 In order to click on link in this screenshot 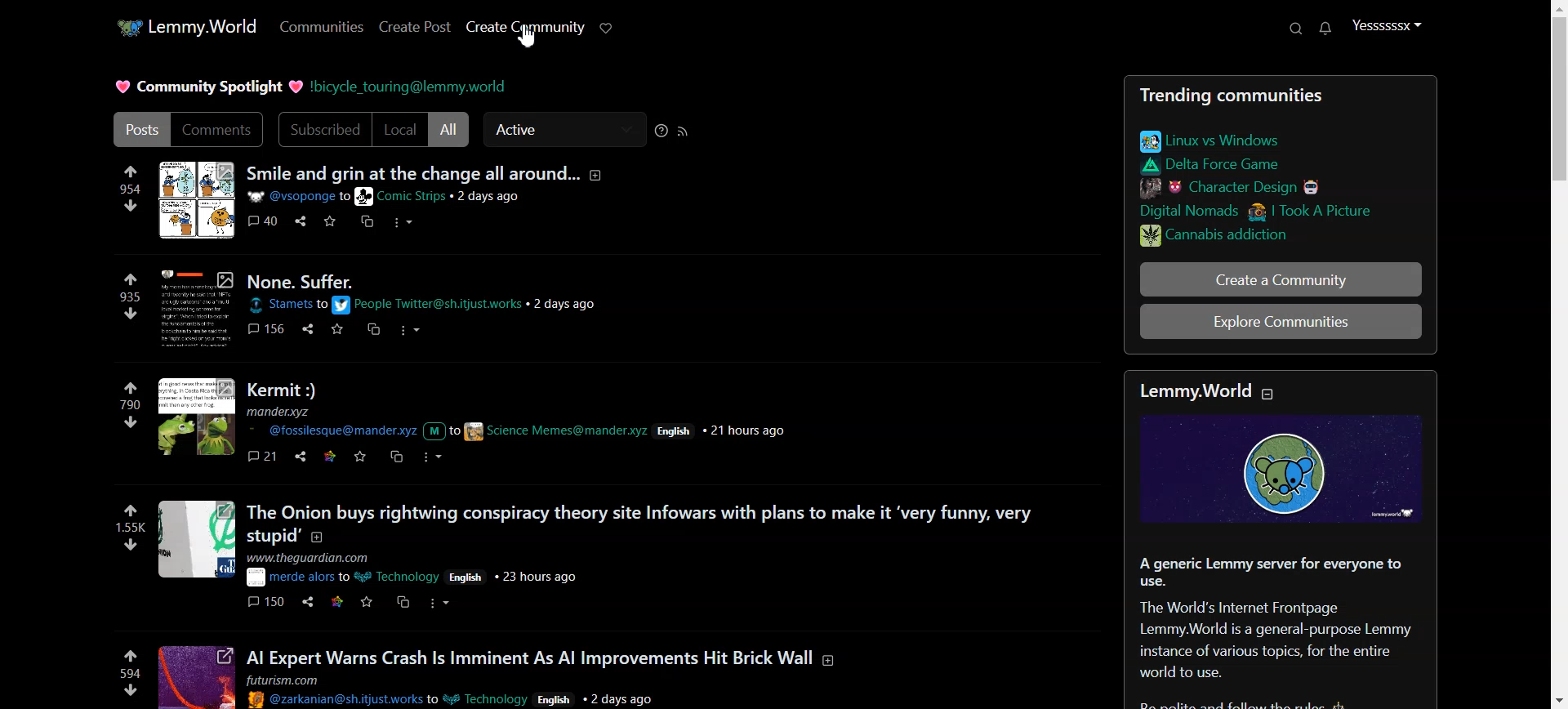, I will do `click(1276, 238)`.